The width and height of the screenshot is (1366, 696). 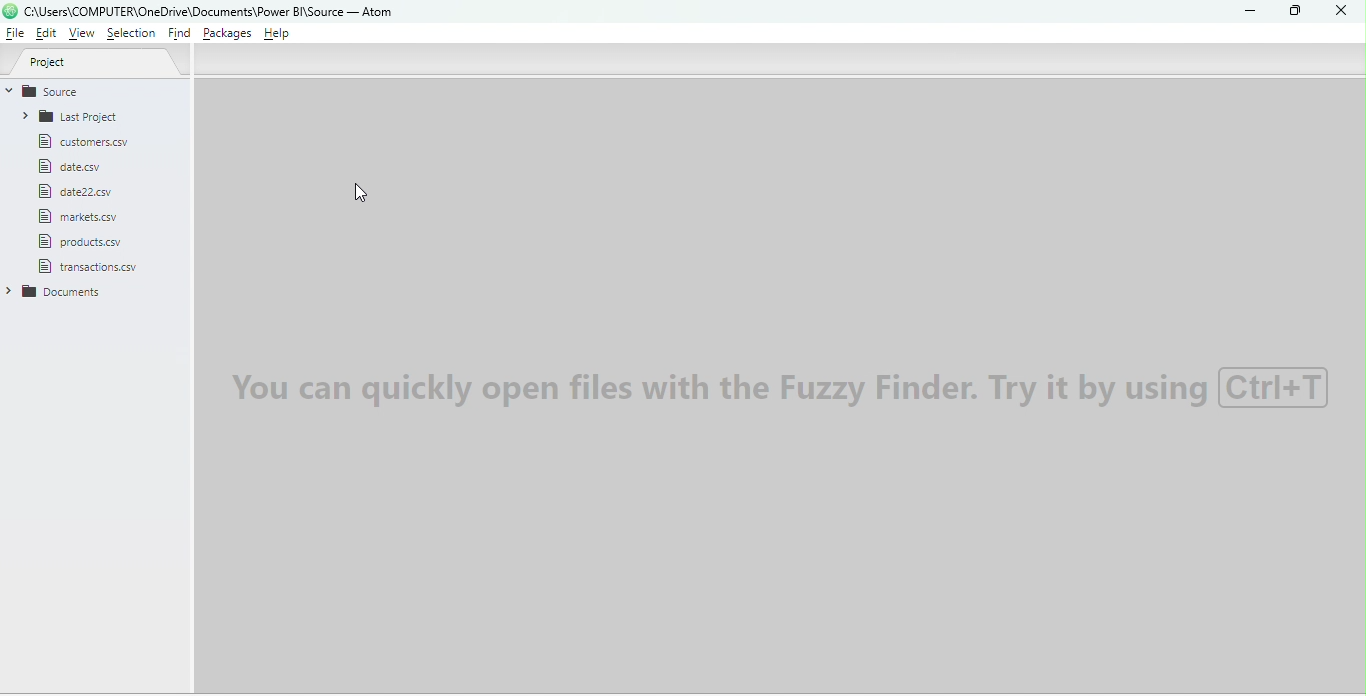 I want to click on Watermark, so click(x=779, y=401).